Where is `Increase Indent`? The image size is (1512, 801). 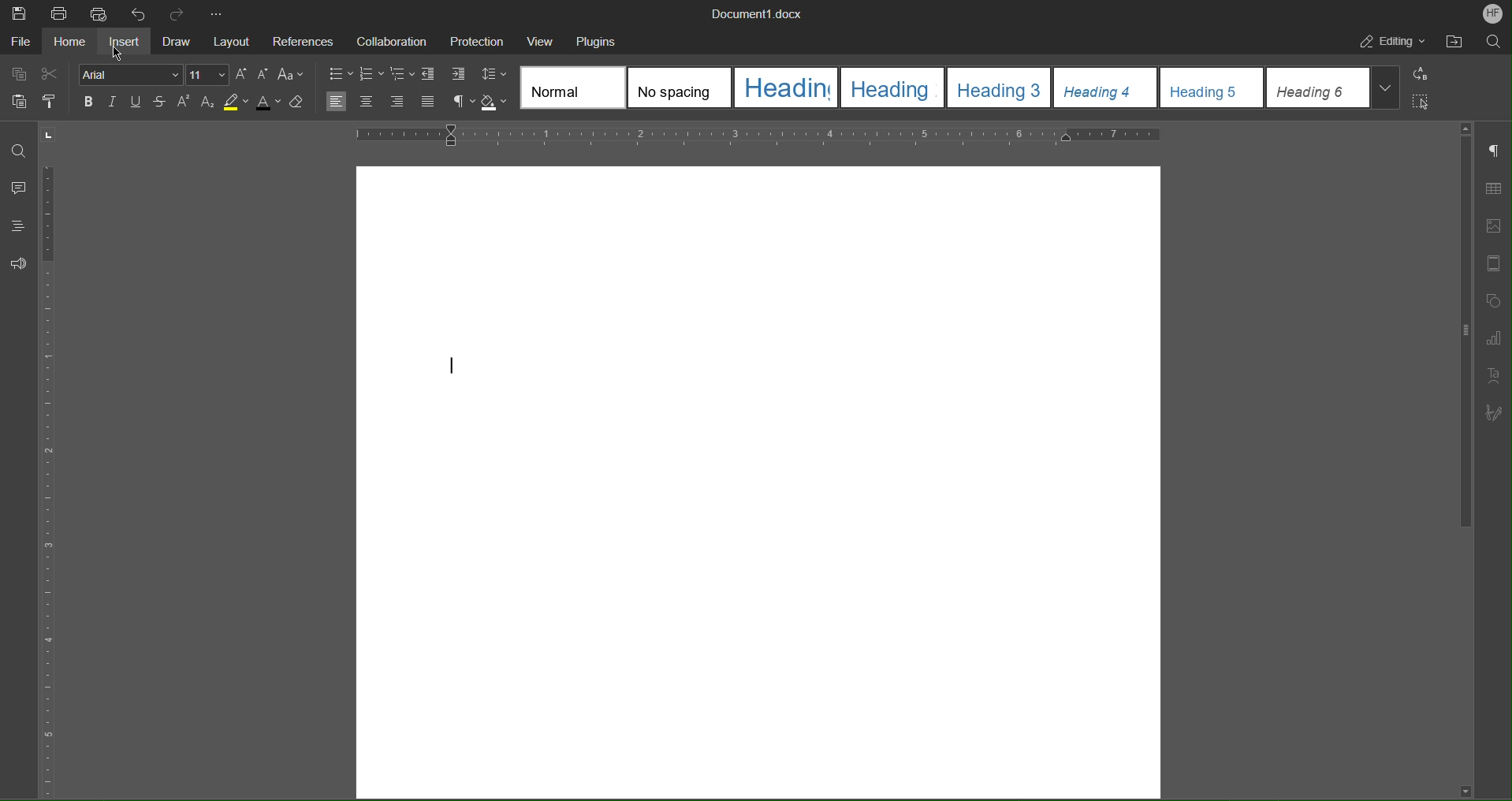 Increase Indent is located at coordinates (458, 74).